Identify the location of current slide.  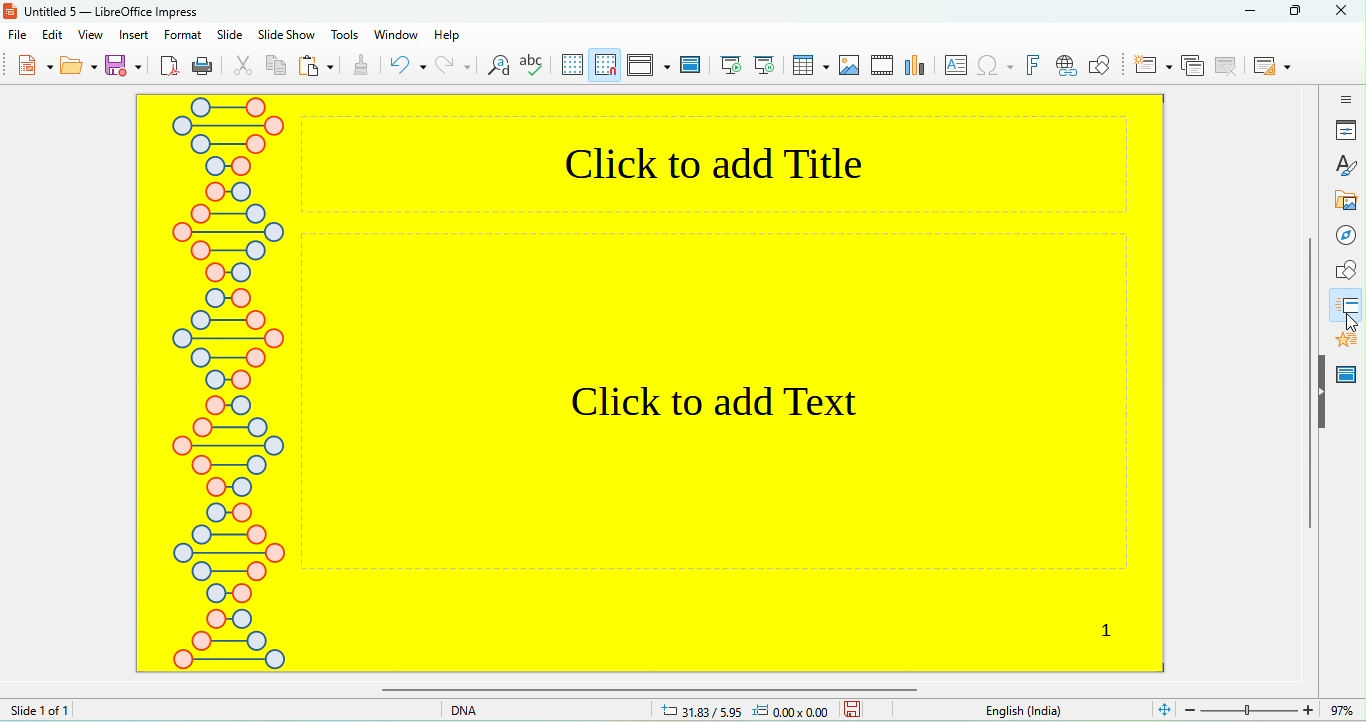
(767, 67).